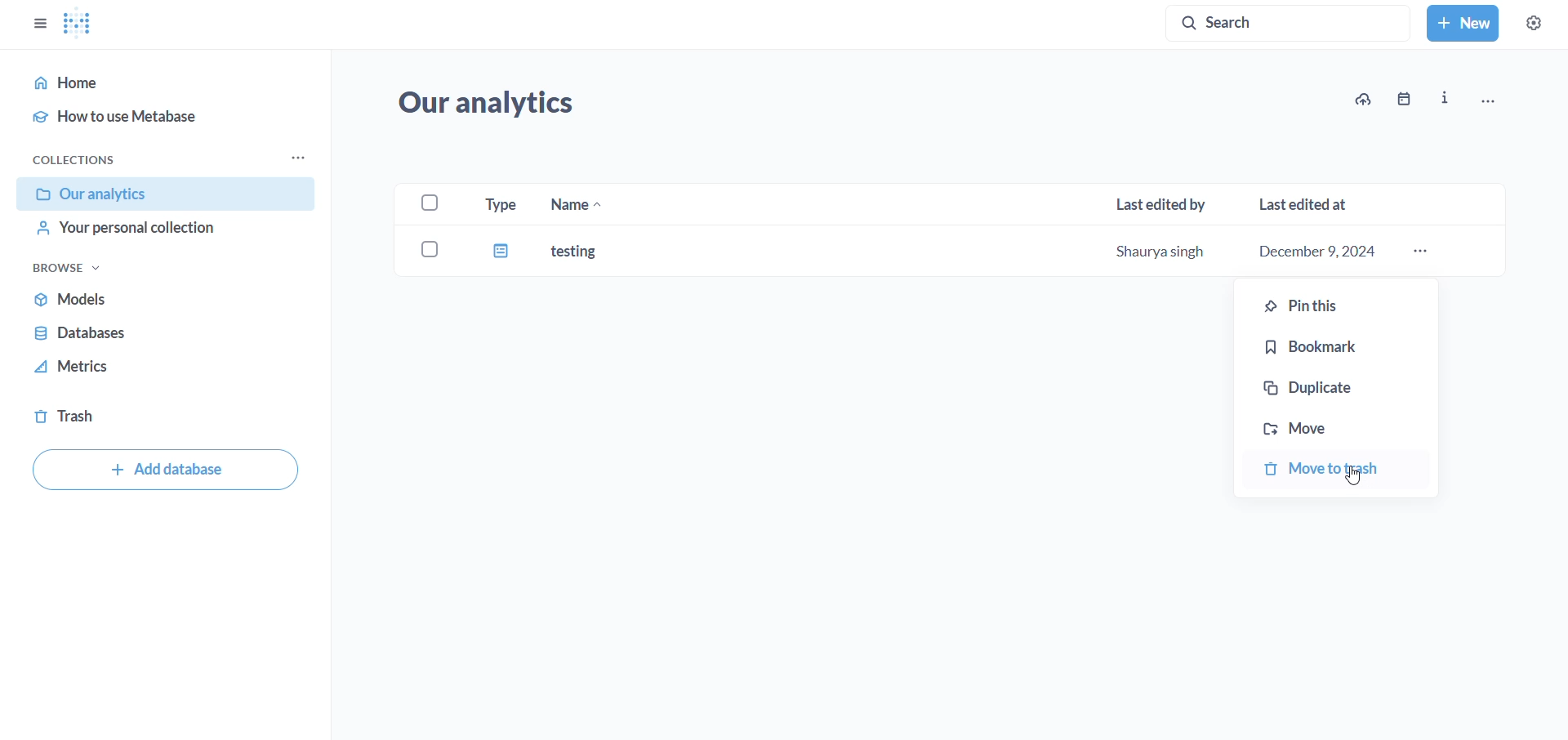 This screenshot has width=1568, height=740. Describe the element at coordinates (1407, 99) in the screenshot. I see `date` at that location.